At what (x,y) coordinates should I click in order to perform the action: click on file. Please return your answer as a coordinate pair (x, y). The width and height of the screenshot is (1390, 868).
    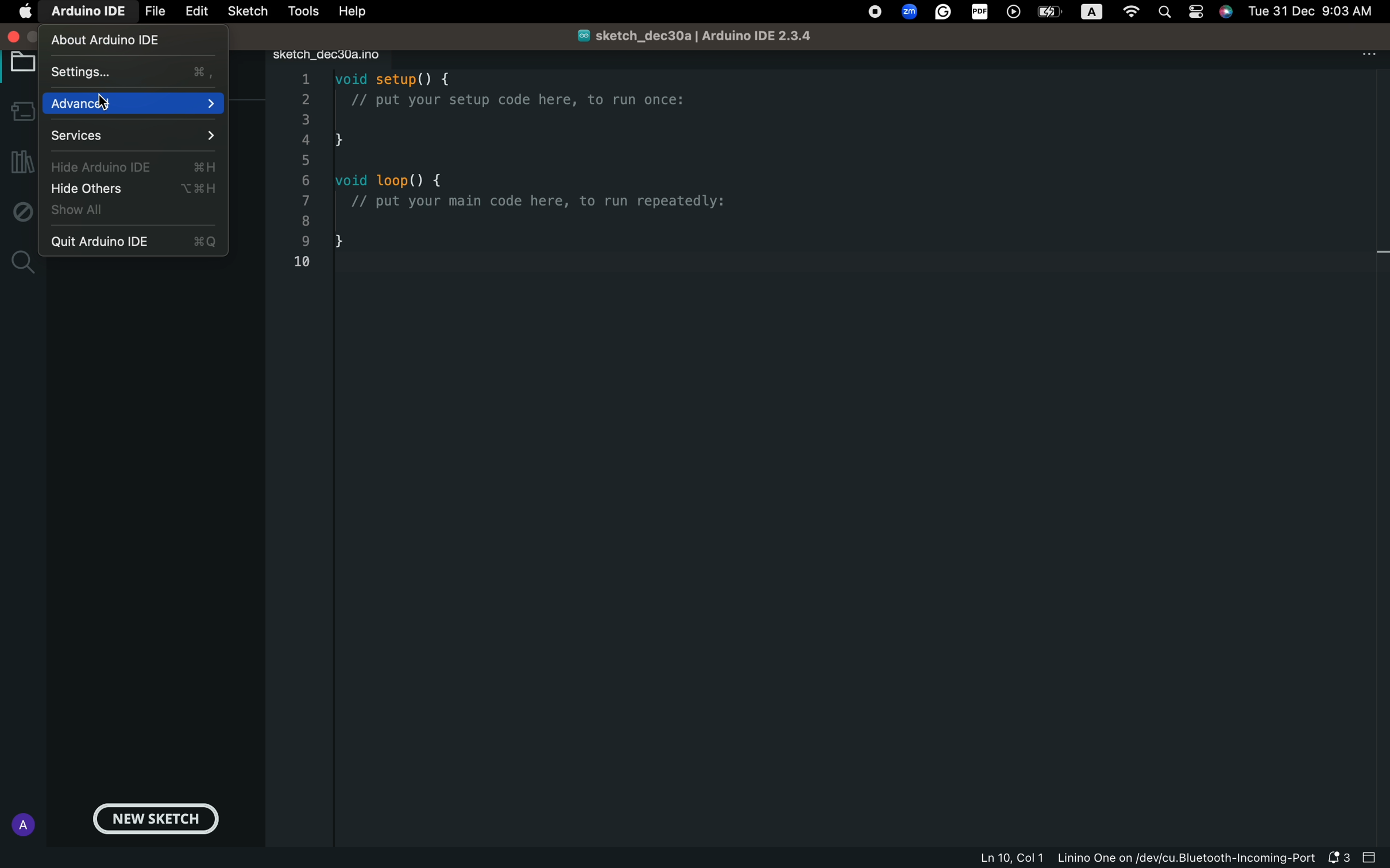
    Looking at the image, I should click on (152, 12).